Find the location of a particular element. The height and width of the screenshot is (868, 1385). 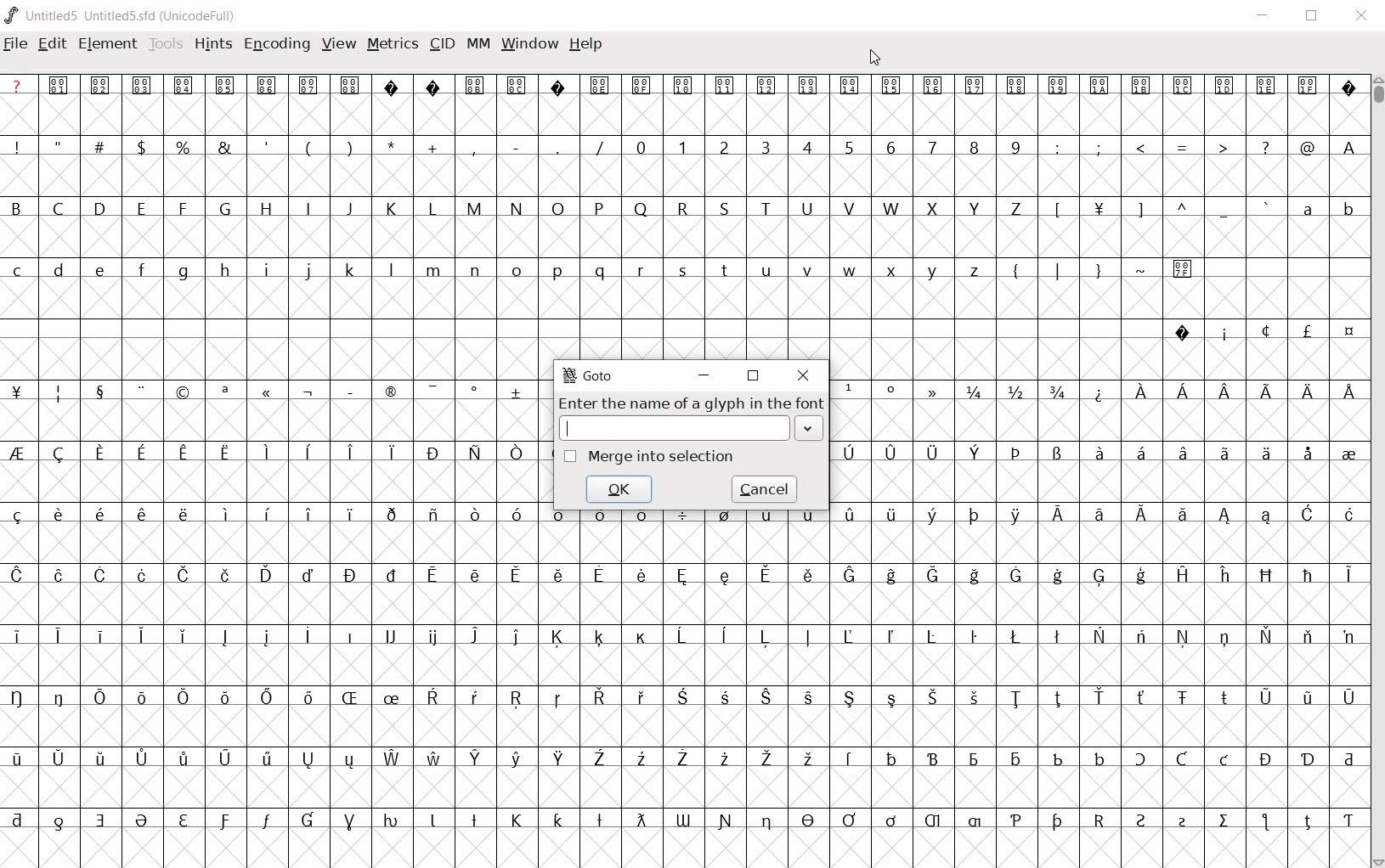

Symbol is located at coordinates (308, 513).